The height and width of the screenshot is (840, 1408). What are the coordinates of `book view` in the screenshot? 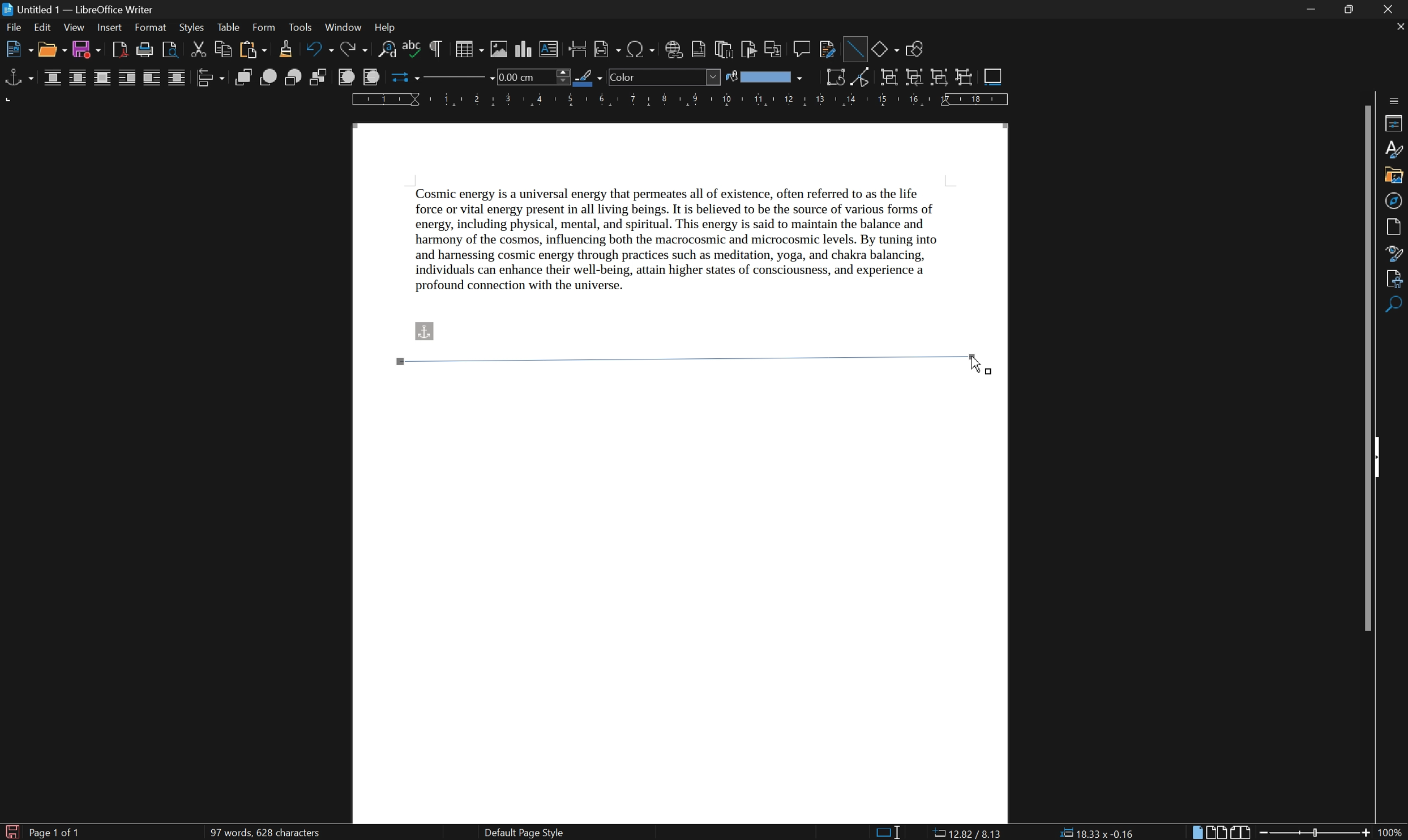 It's located at (1241, 832).